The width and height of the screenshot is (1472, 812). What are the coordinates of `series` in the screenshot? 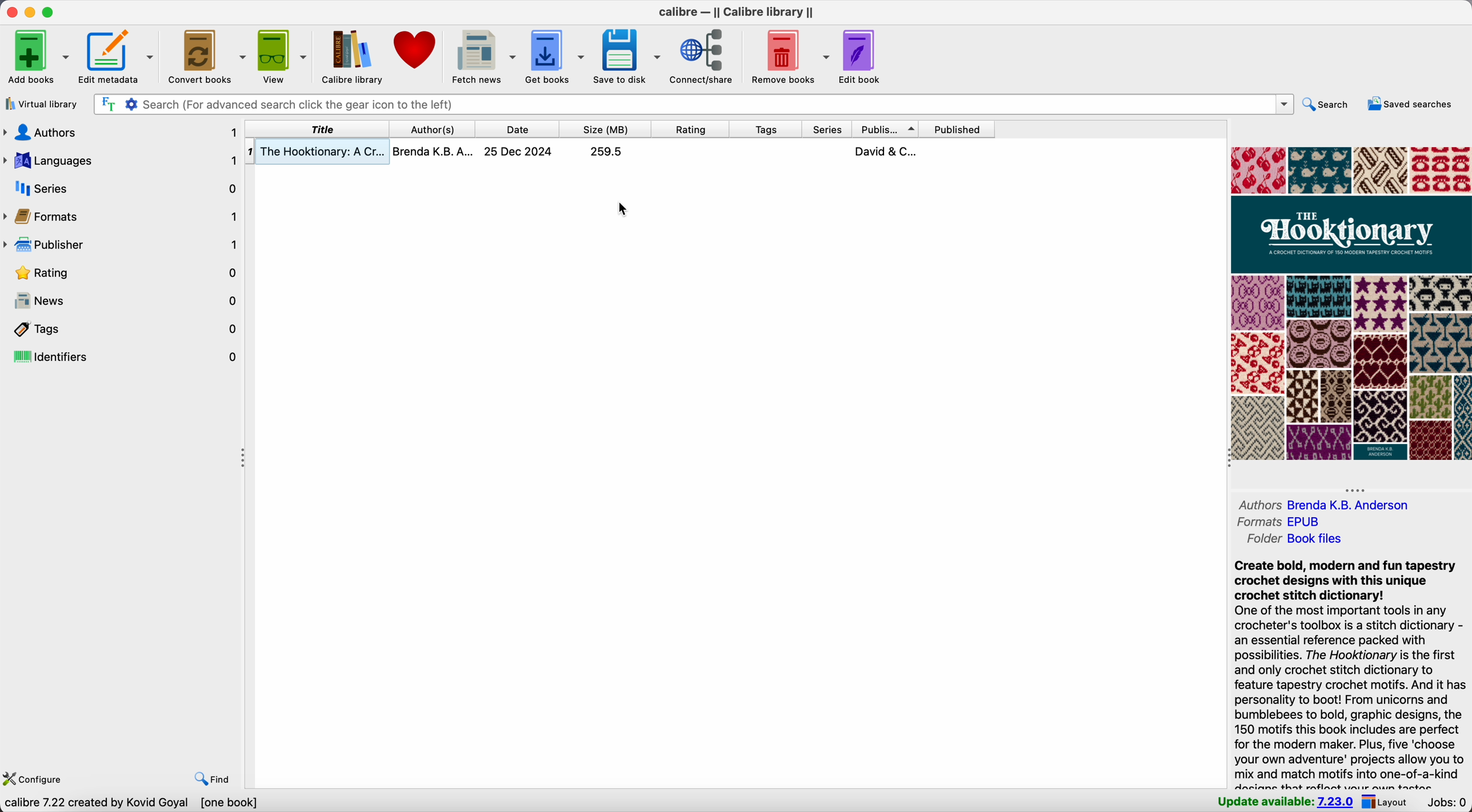 It's located at (829, 128).